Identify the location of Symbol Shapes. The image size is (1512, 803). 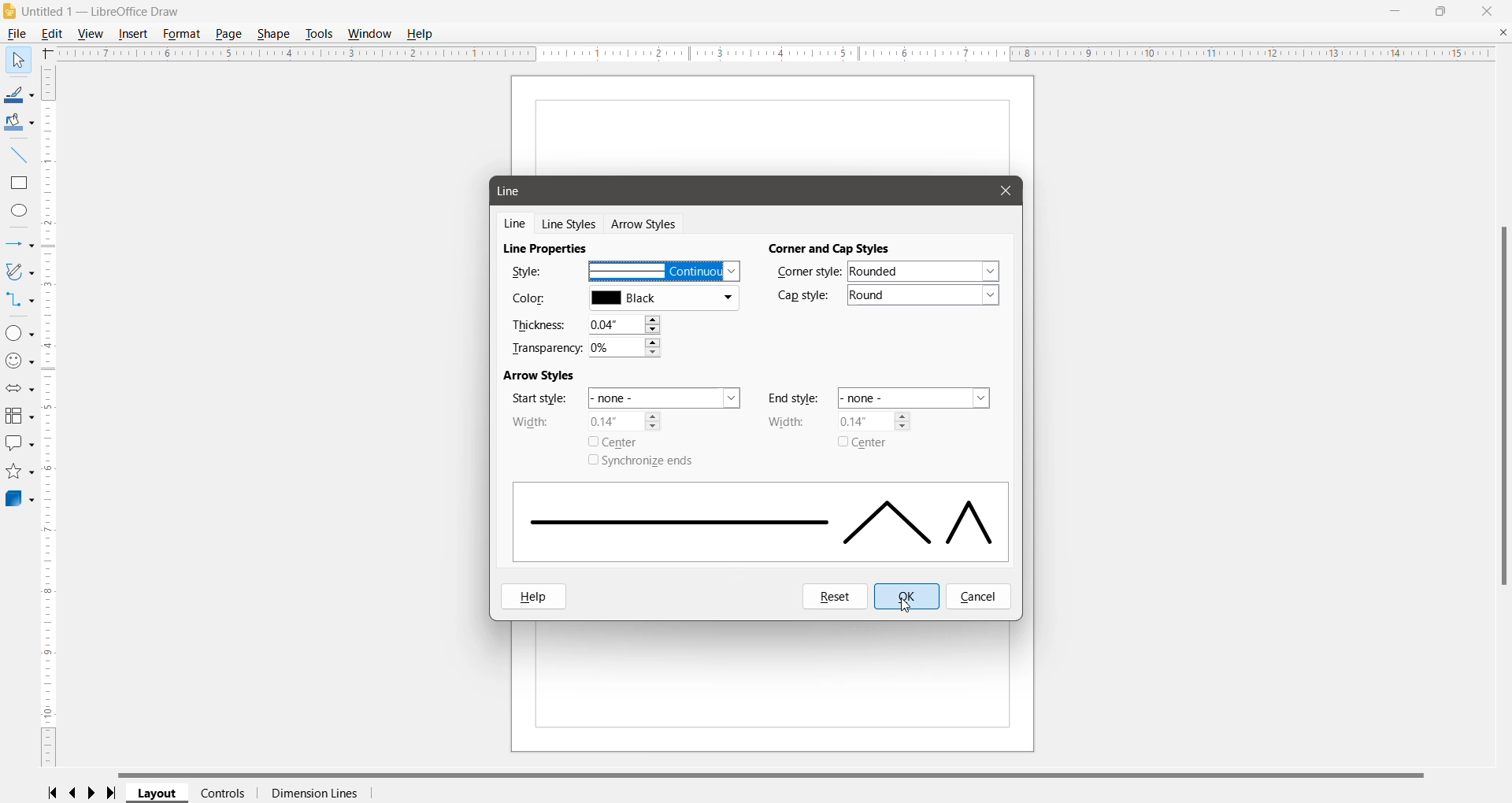
(20, 362).